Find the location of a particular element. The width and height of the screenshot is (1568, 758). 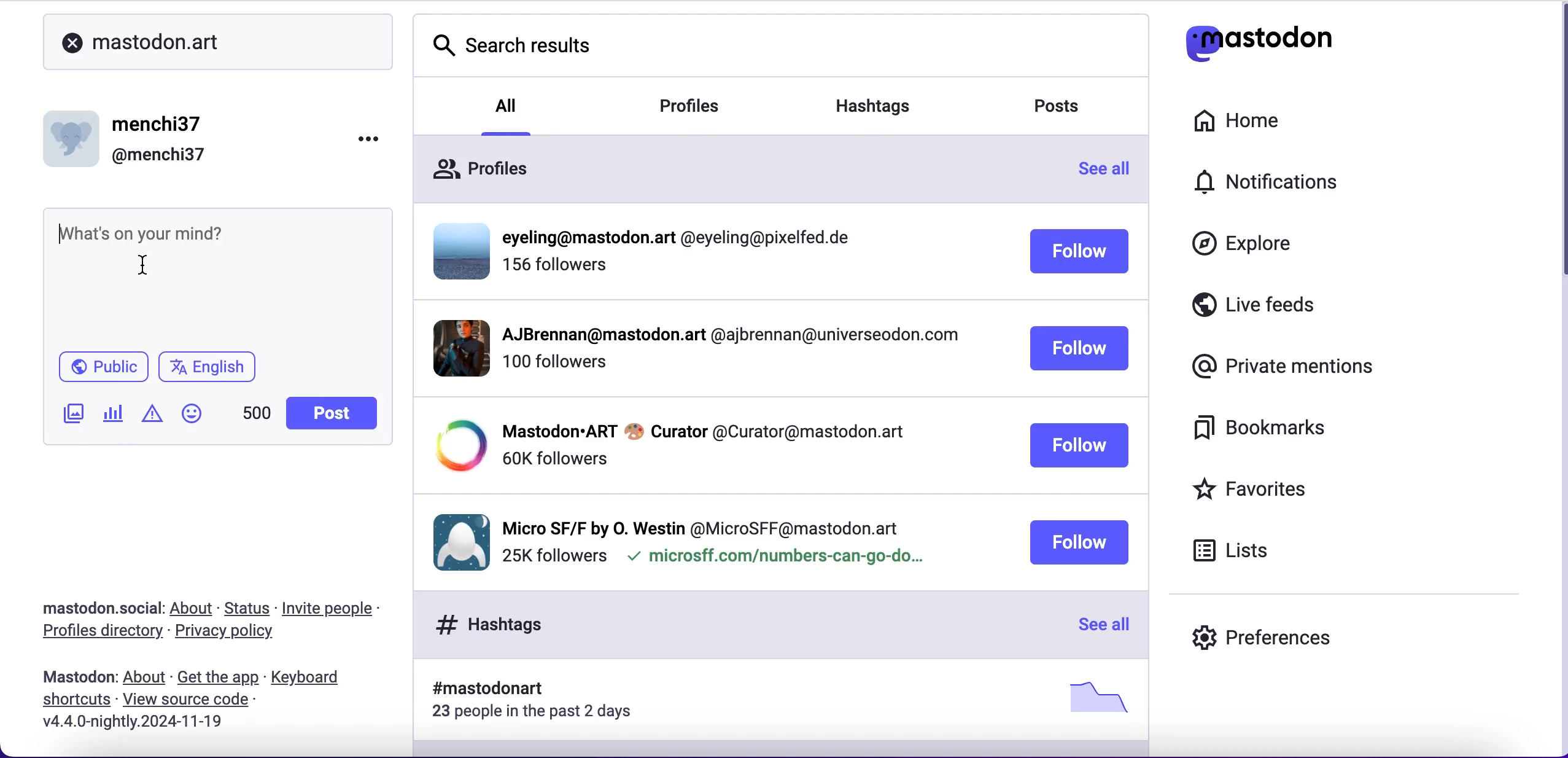

profiles directory is located at coordinates (98, 633).